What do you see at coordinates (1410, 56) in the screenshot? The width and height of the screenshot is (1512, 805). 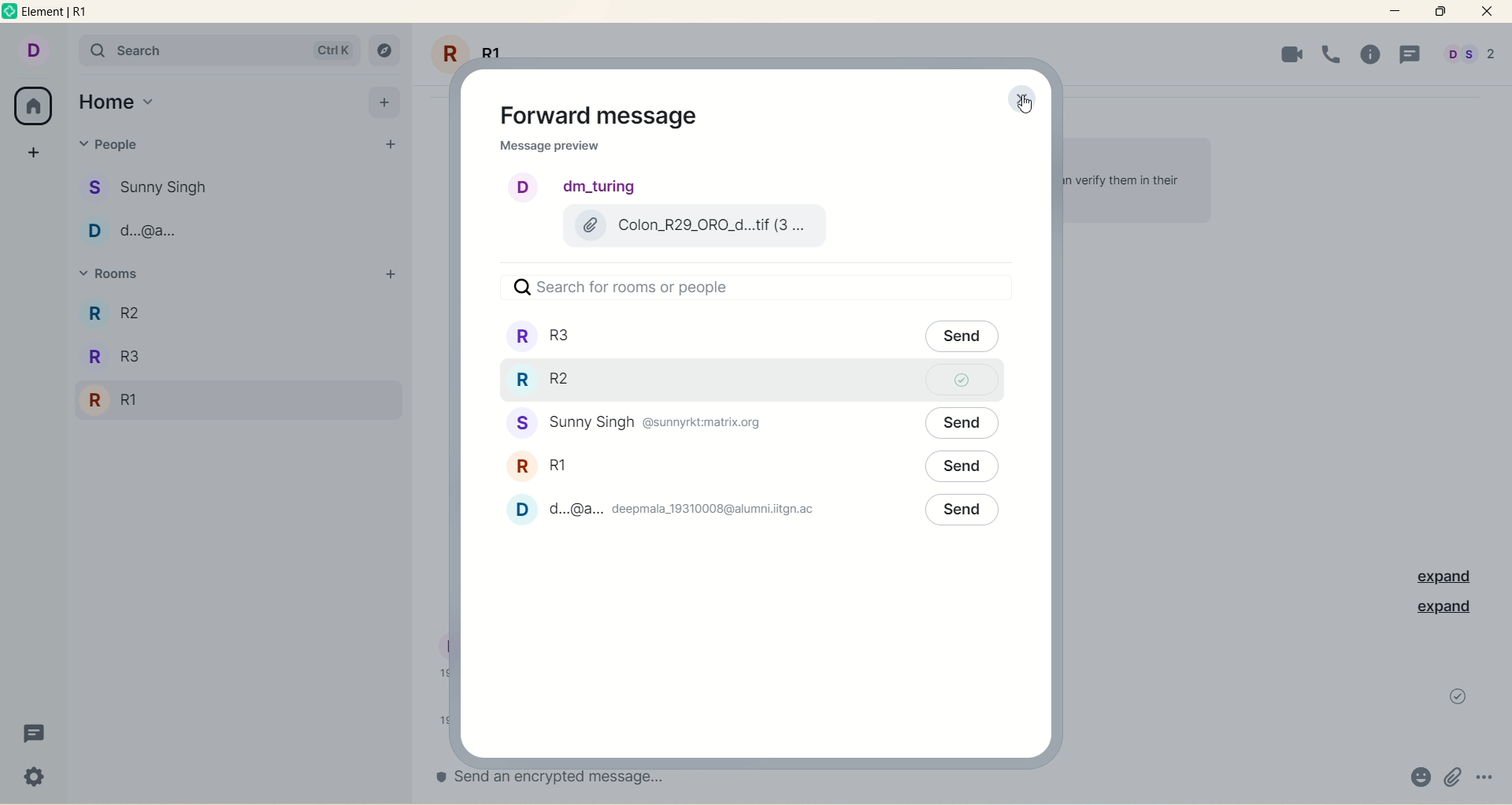 I see `threads` at bounding box center [1410, 56].